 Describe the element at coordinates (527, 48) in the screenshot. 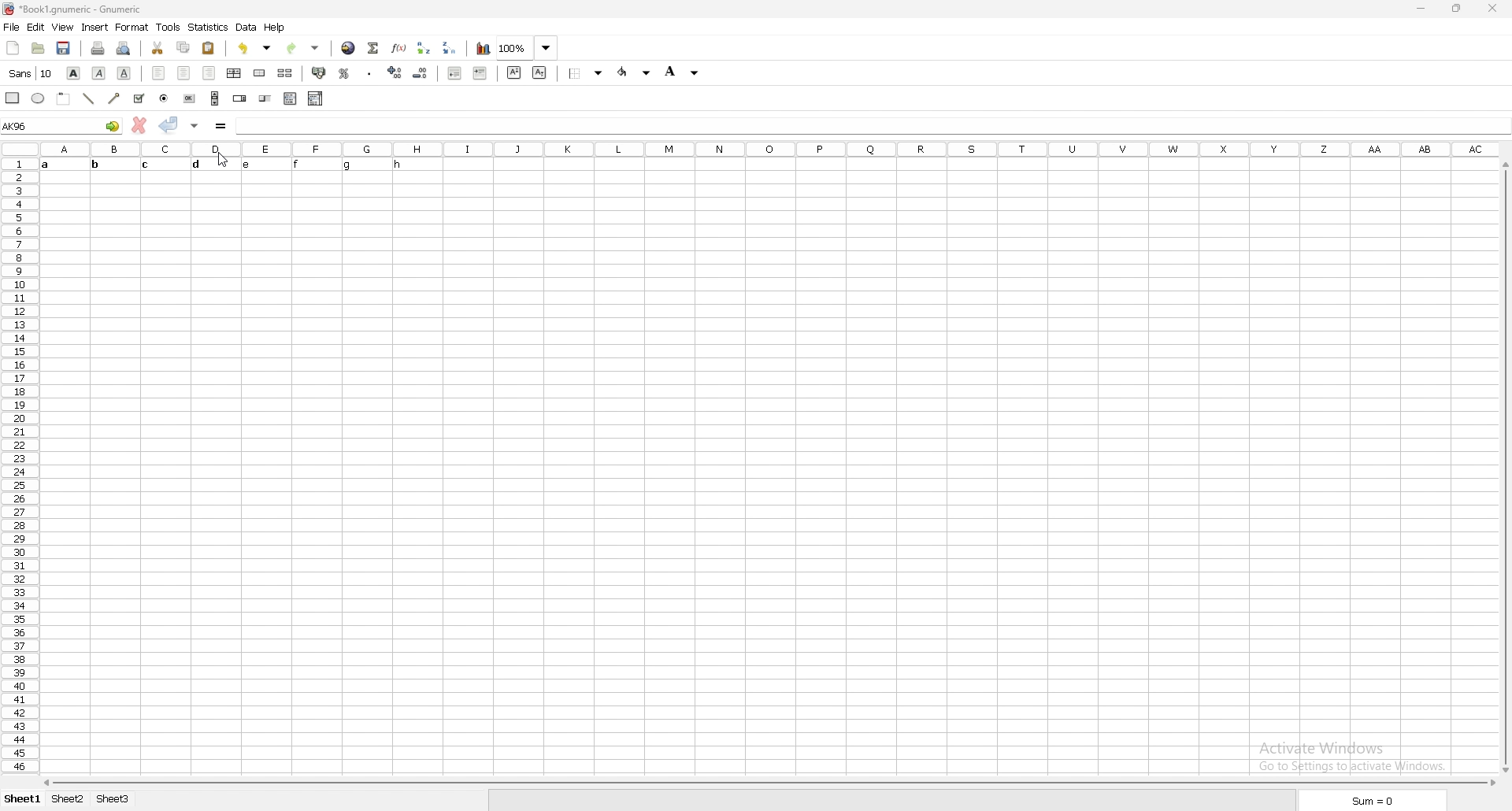

I see `zoom` at that location.